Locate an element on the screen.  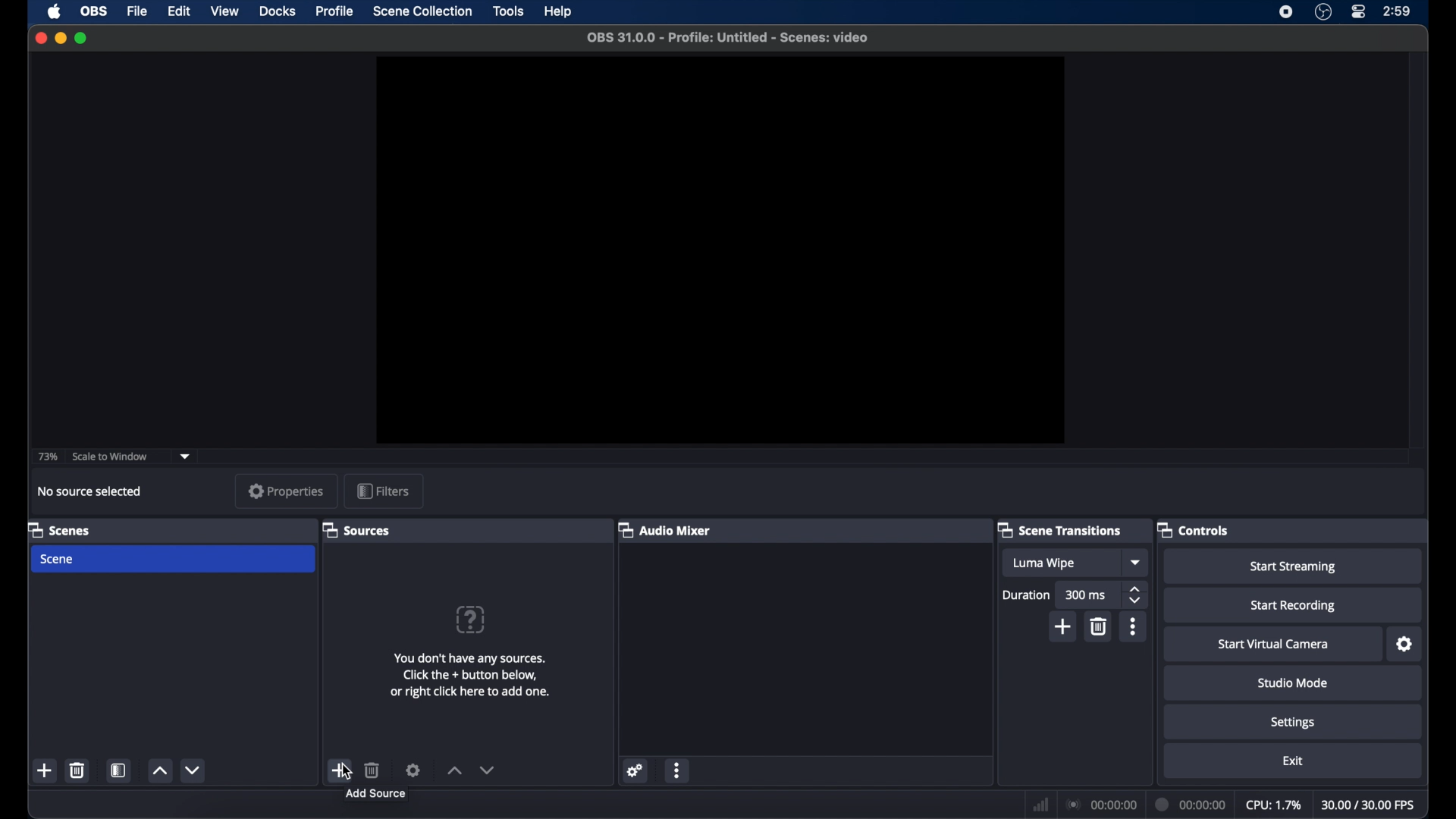
add is located at coordinates (44, 770).